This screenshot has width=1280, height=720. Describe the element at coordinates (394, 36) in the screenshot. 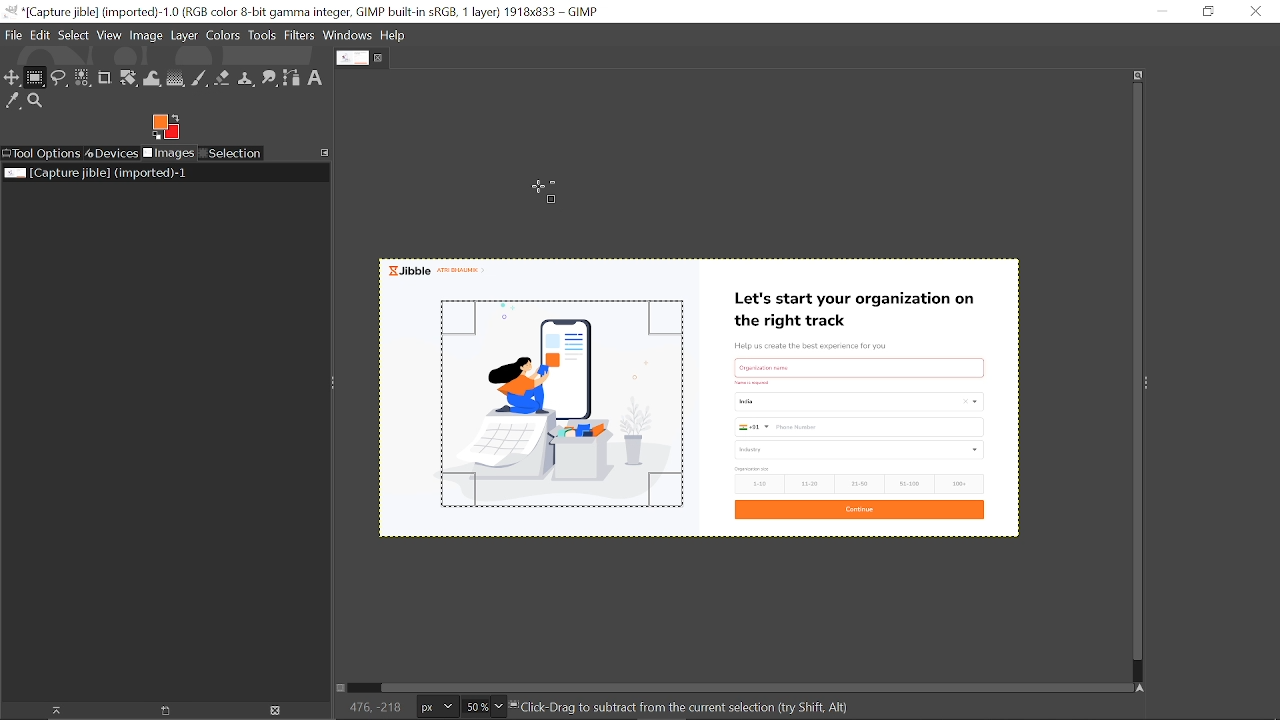

I see `Help` at that location.